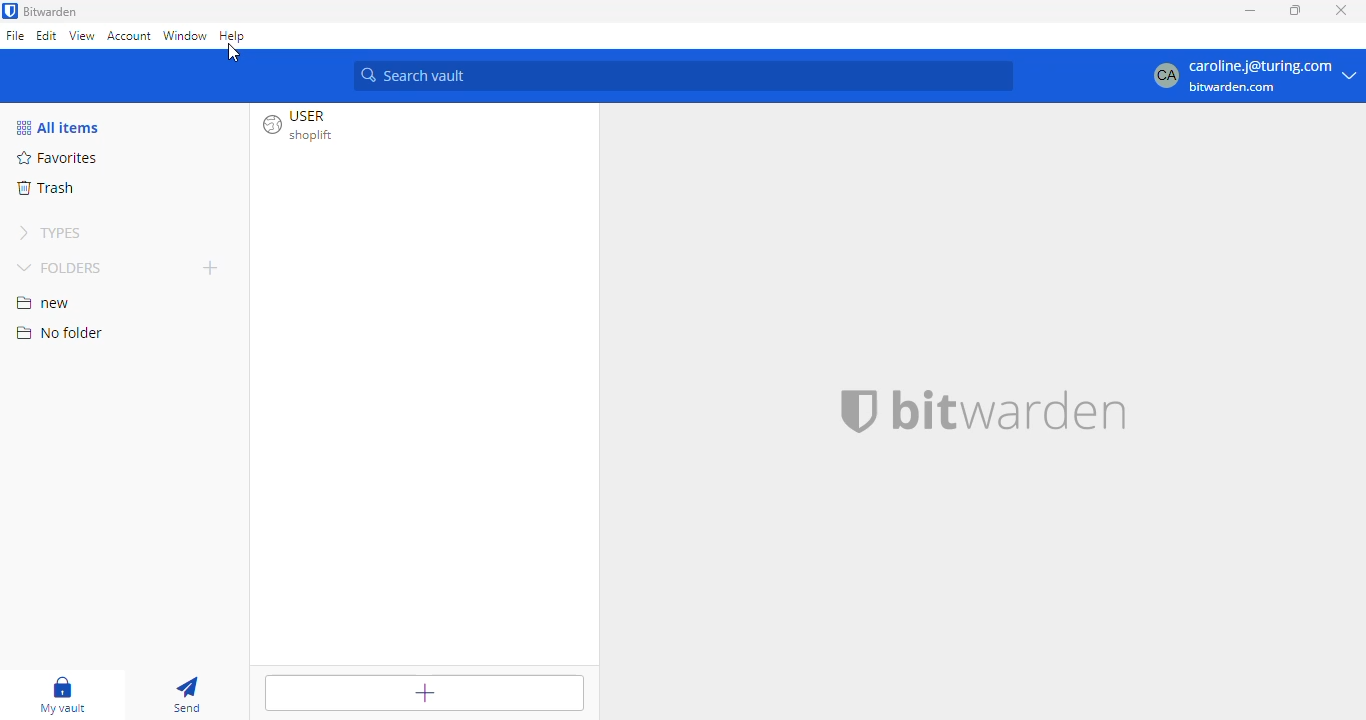 This screenshot has height=720, width=1366. I want to click on logo, so click(10, 11).